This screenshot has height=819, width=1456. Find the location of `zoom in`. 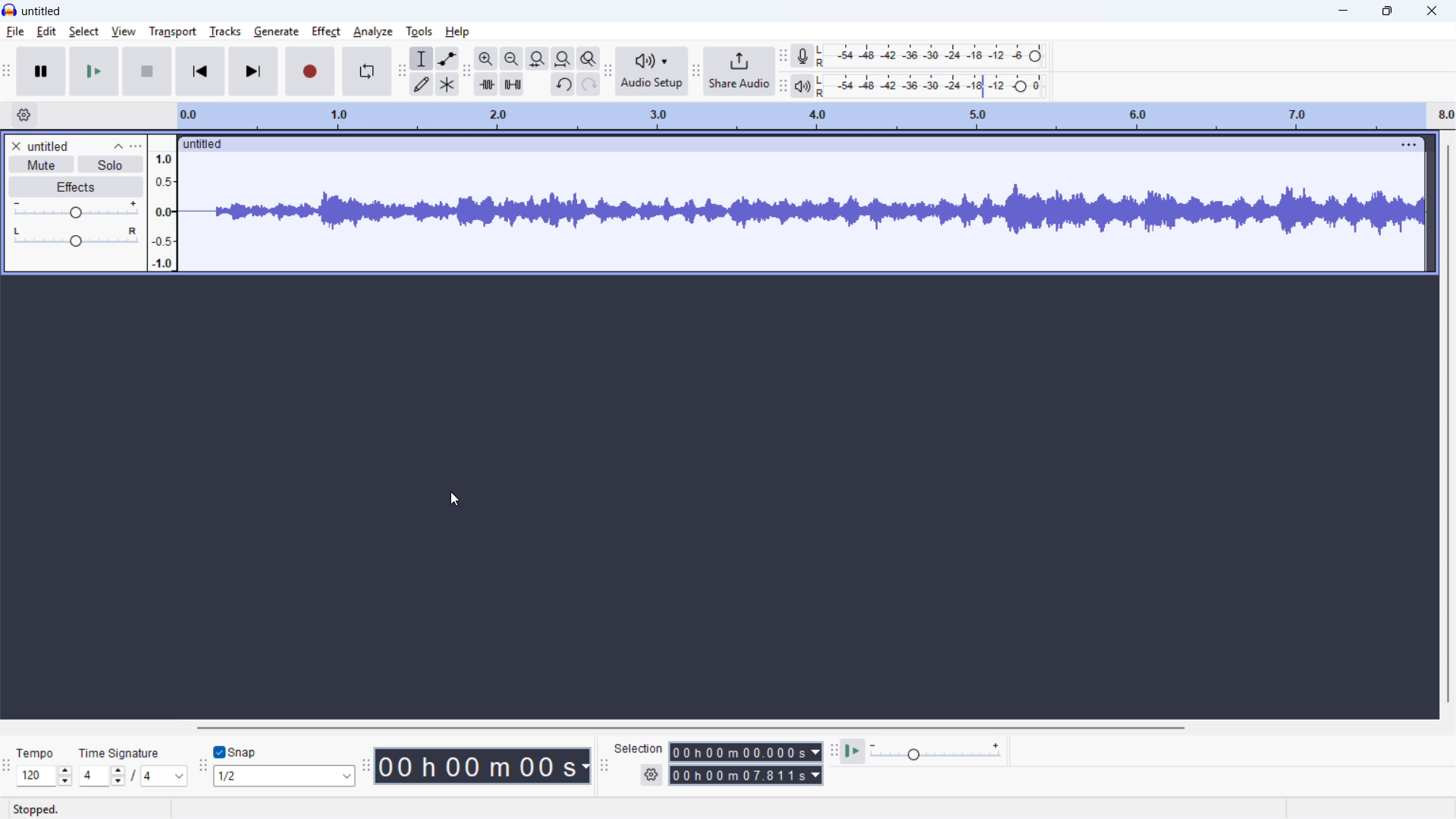

zoom in is located at coordinates (485, 59).